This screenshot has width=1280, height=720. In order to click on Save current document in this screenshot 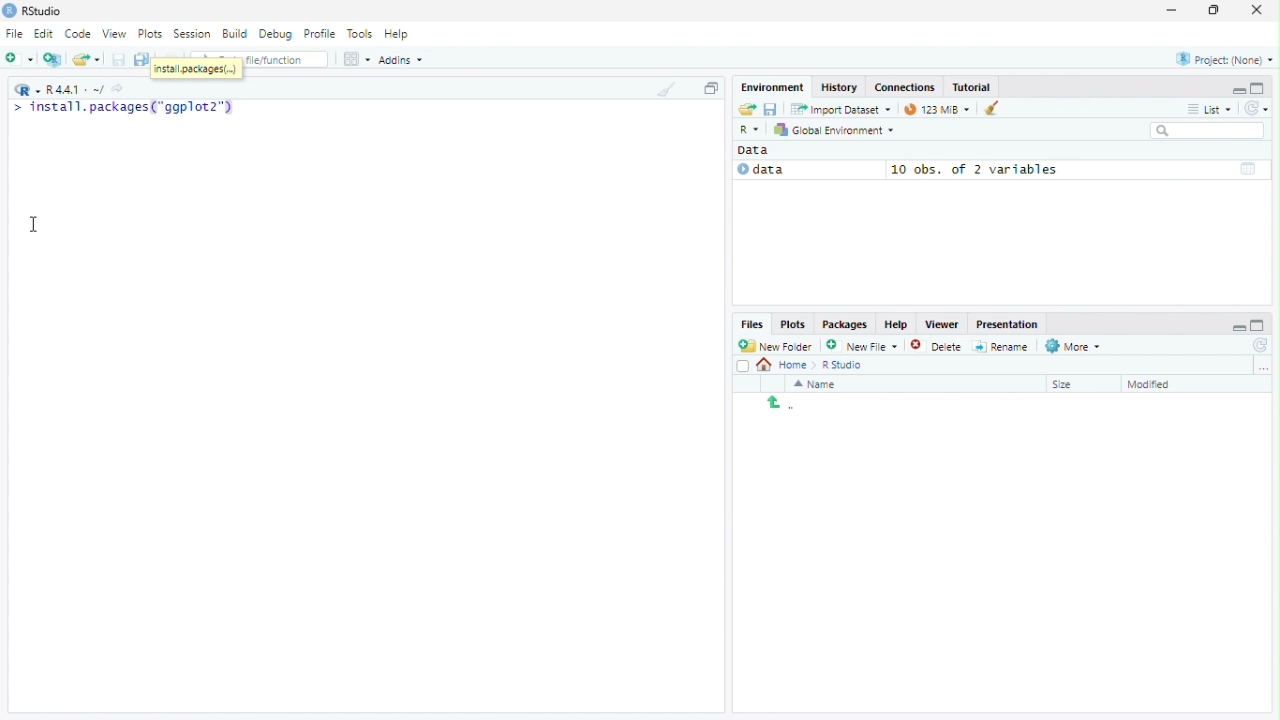, I will do `click(120, 59)`.